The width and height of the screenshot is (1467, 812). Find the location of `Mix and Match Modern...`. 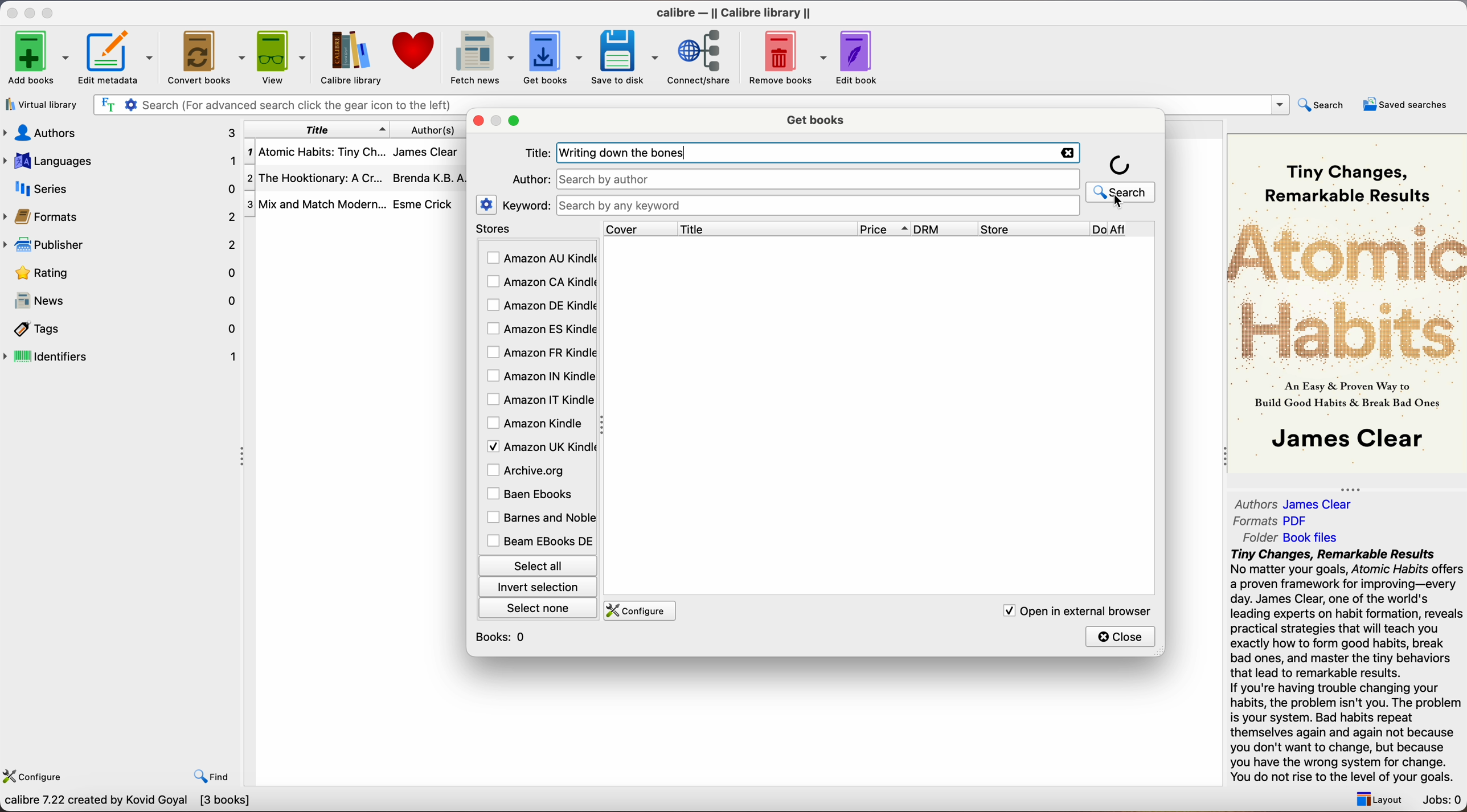

Mix and Match Modern... is located at coordinates (315, 205).